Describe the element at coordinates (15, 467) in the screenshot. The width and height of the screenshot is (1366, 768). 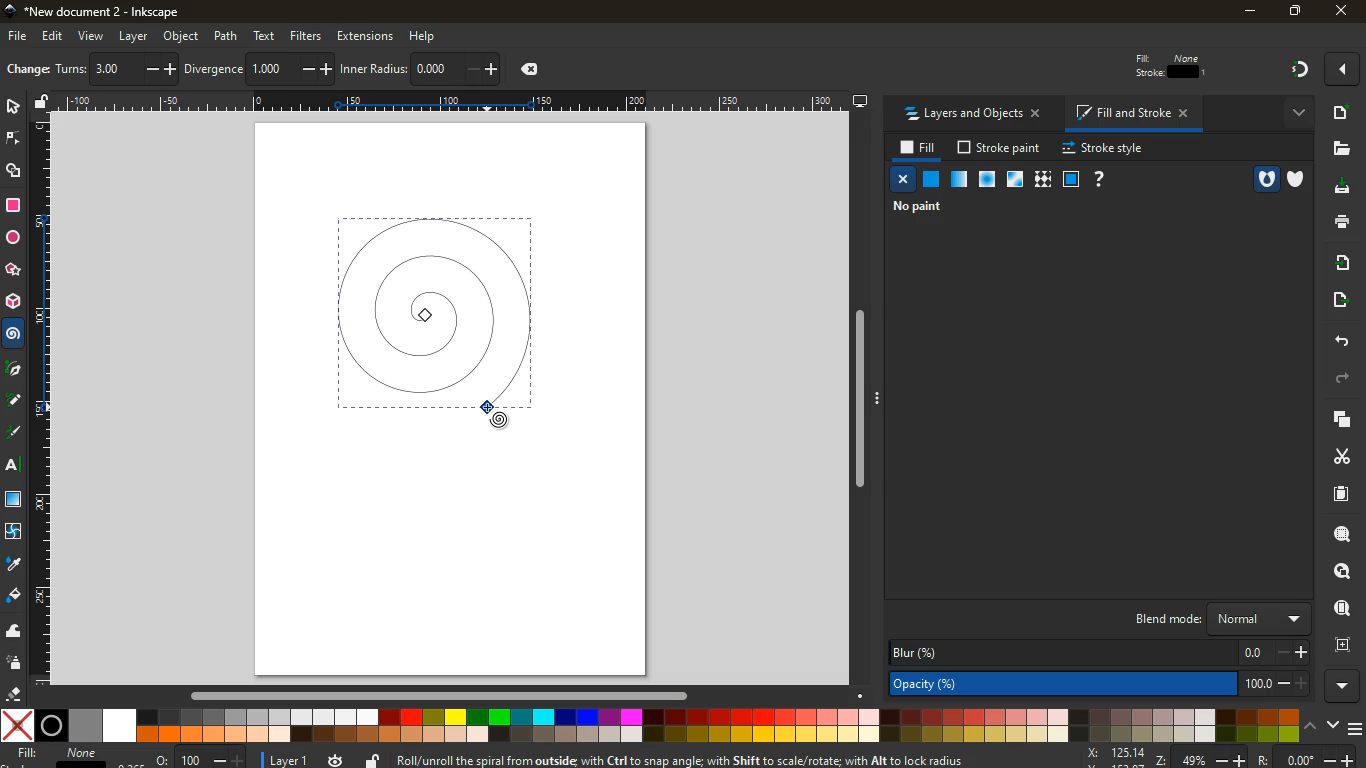
I see `text` at that location.